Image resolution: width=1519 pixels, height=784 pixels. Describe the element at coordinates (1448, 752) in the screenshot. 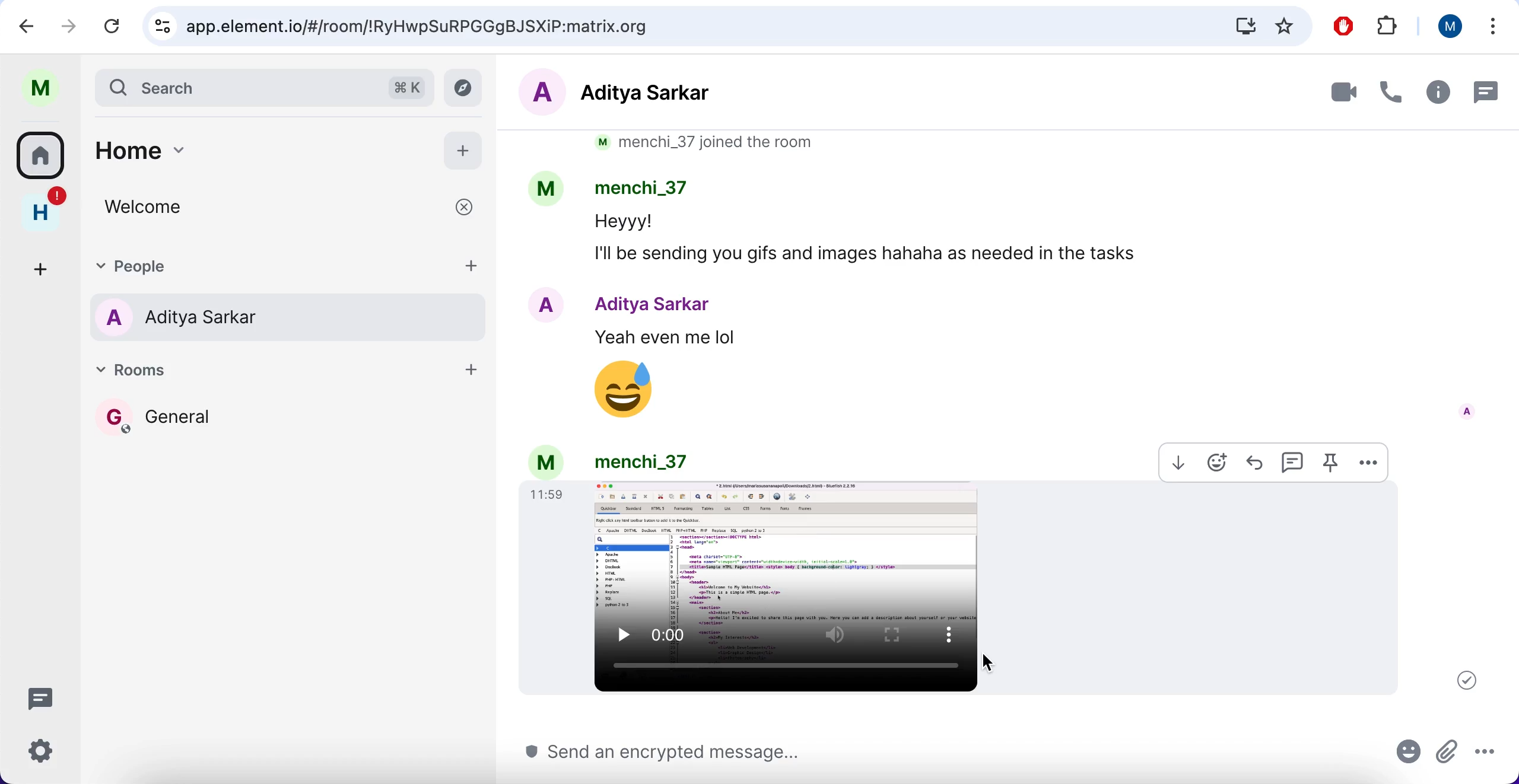

I see `attachment` at that location.